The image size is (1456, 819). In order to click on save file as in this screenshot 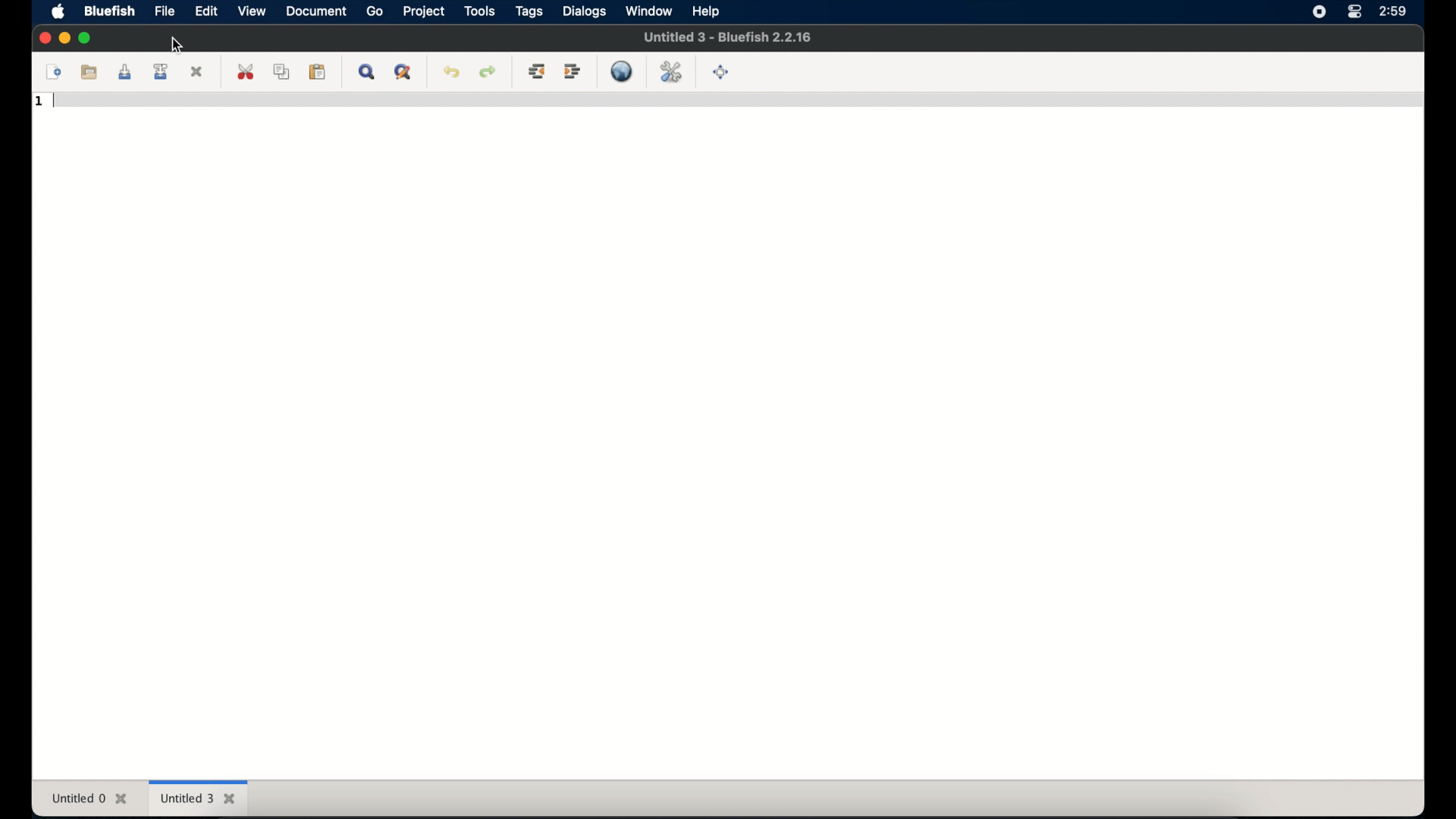, I will do `click(162, 71)`.